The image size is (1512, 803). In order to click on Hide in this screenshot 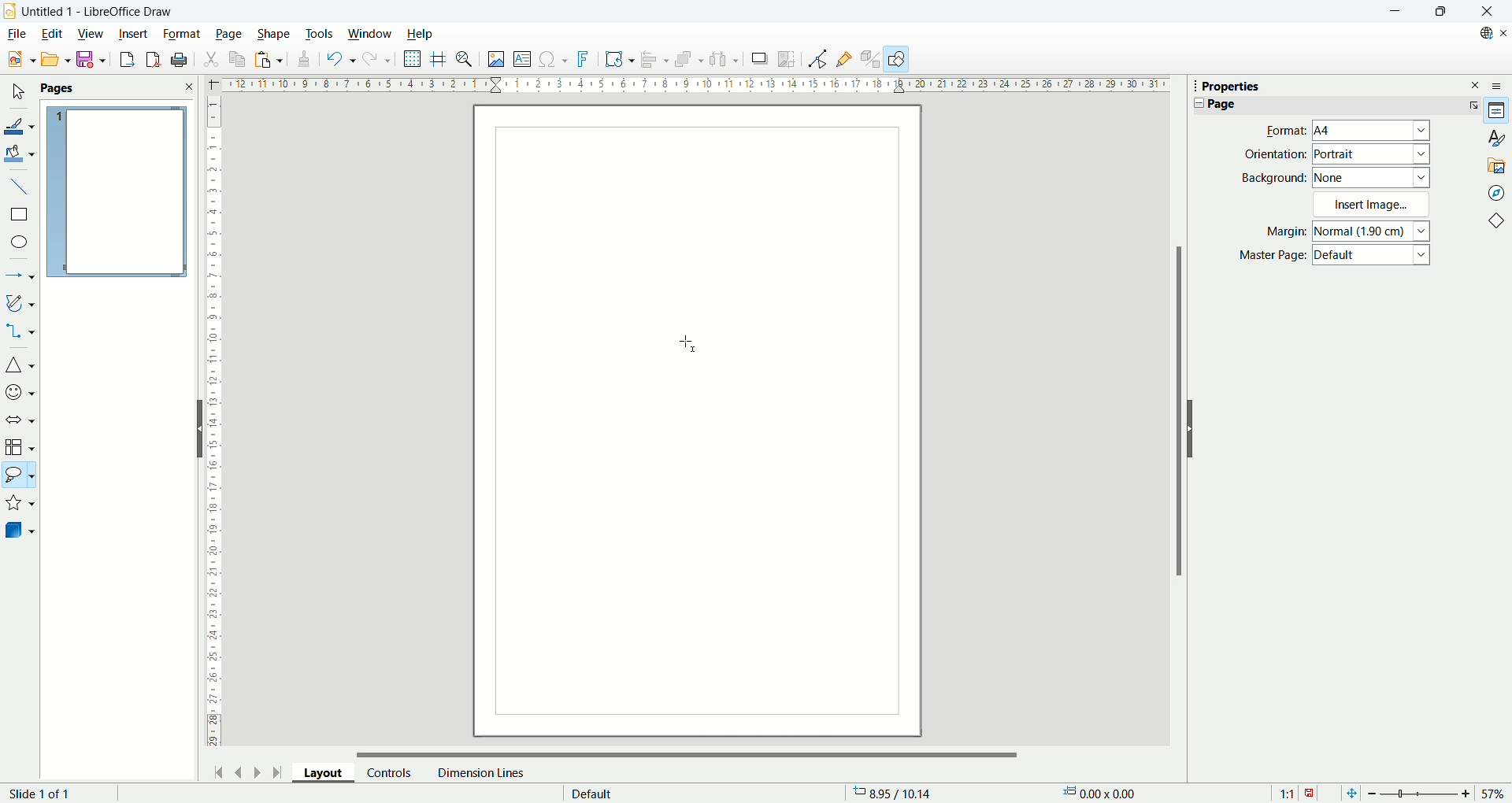, I will do `click(197, 427)`.